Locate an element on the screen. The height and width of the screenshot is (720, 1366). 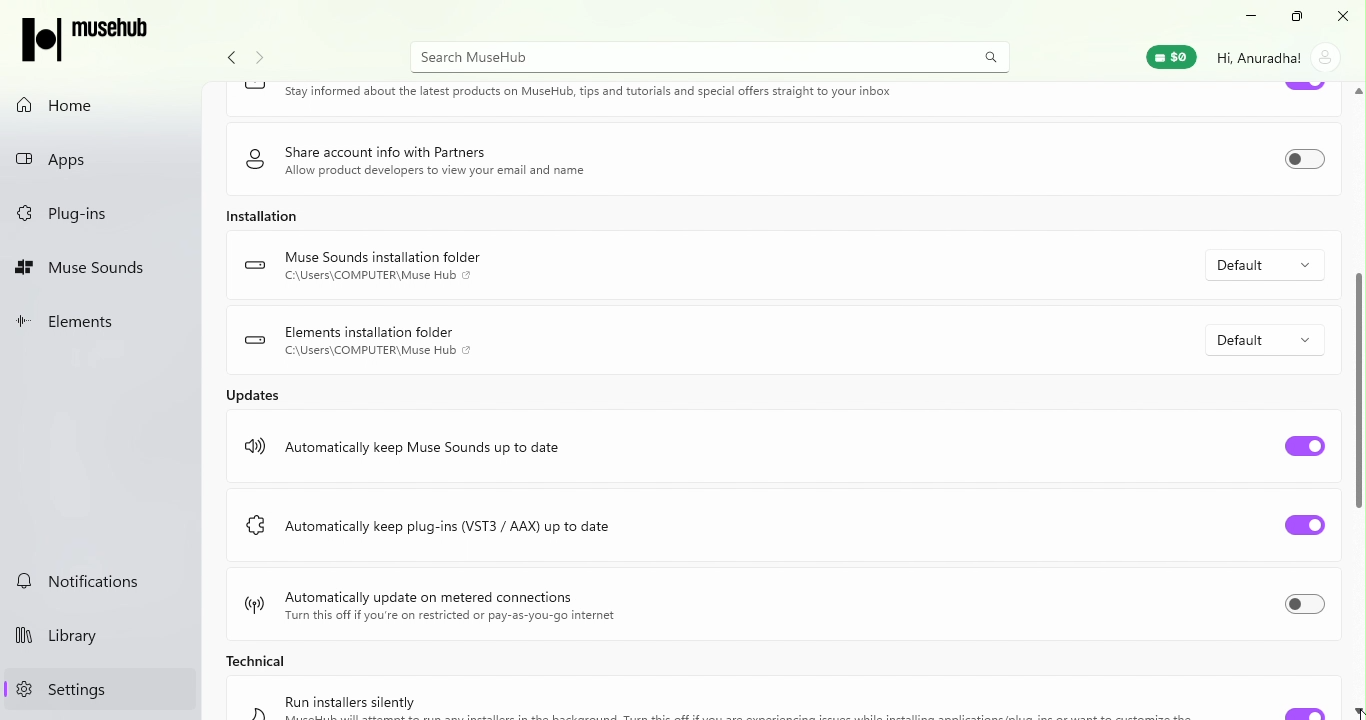
Automatically update on metered connections Turn this off if you're on restricted or pay-as-you-go internet is located at coordinates (458, 607).